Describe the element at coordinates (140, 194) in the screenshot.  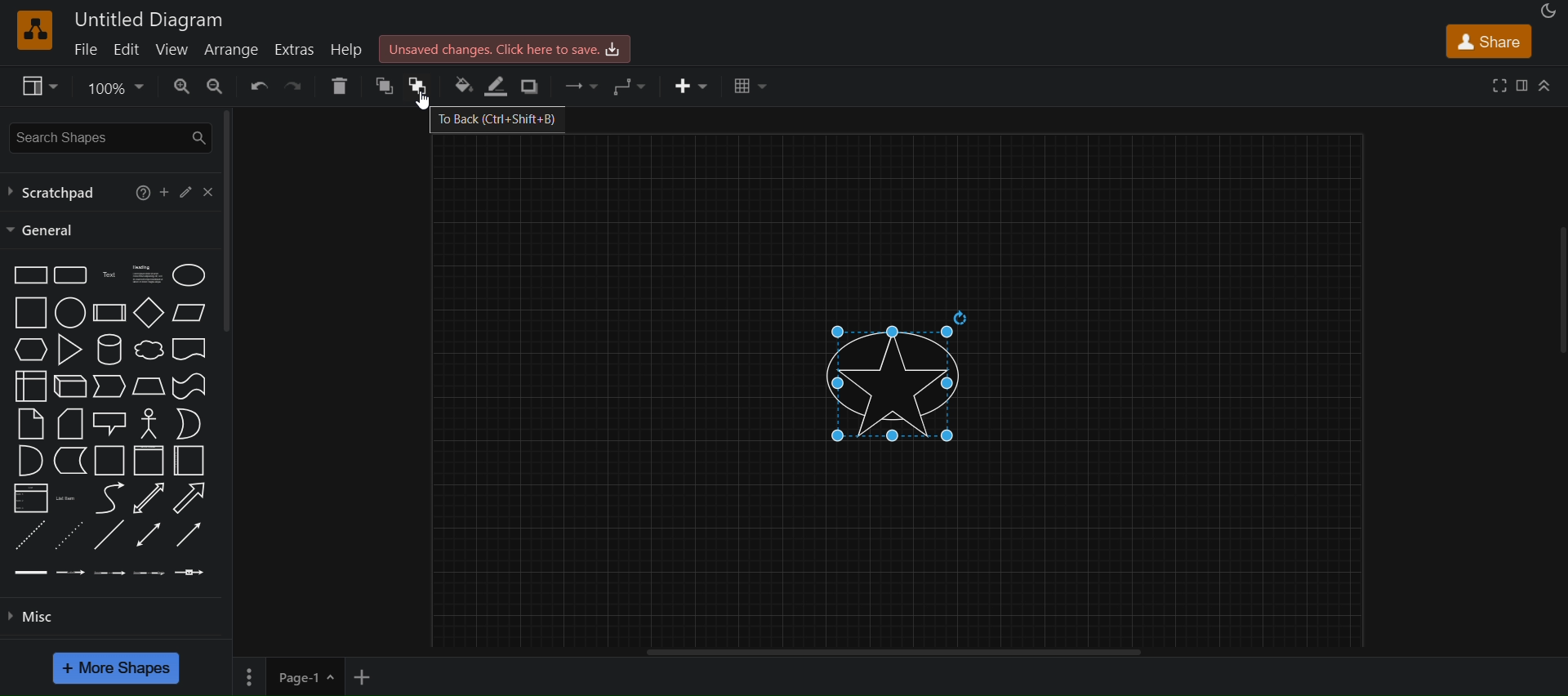
I see `help` at that location.